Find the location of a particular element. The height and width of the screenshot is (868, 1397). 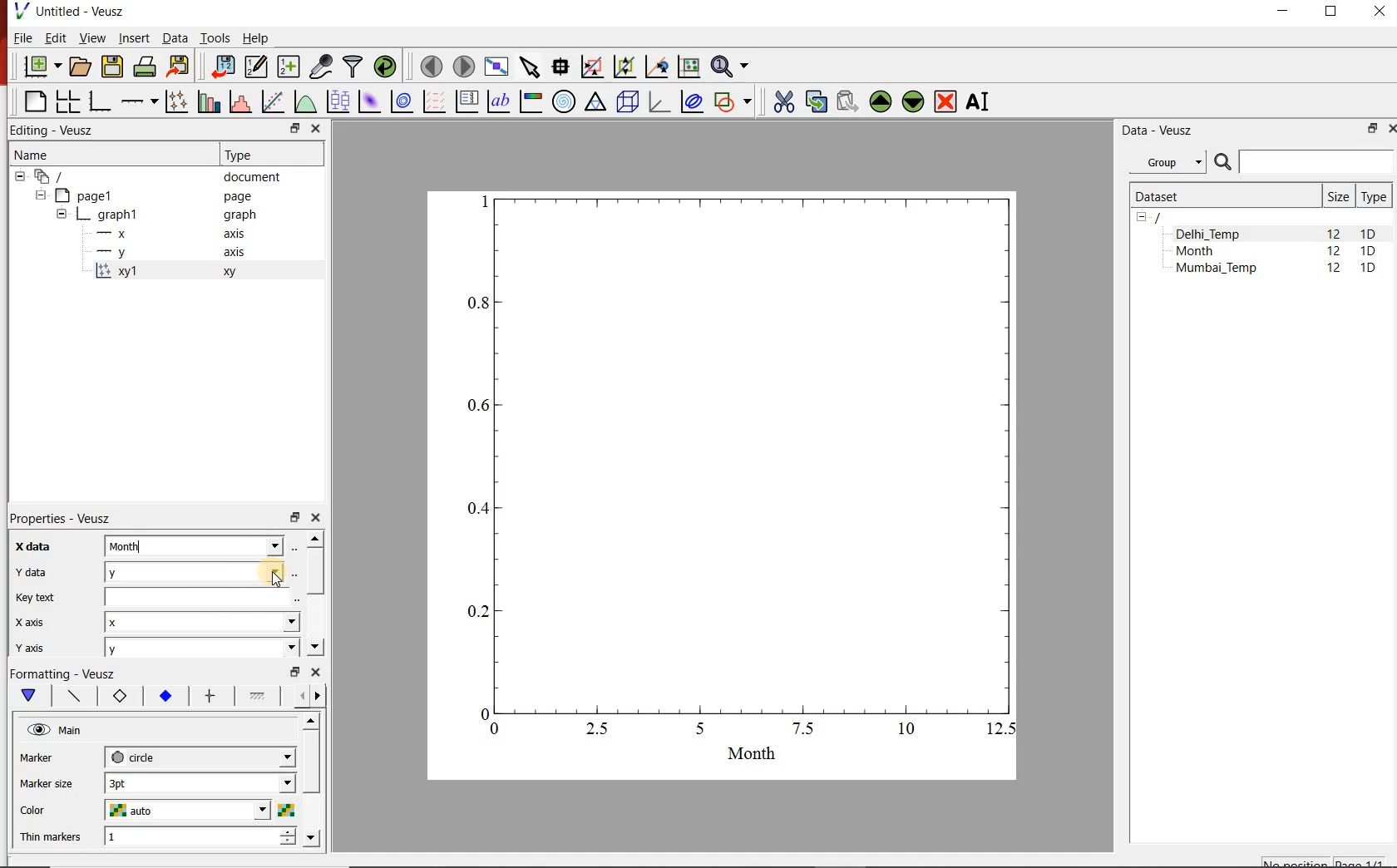

graph1 is located at coordinates (741, 474).